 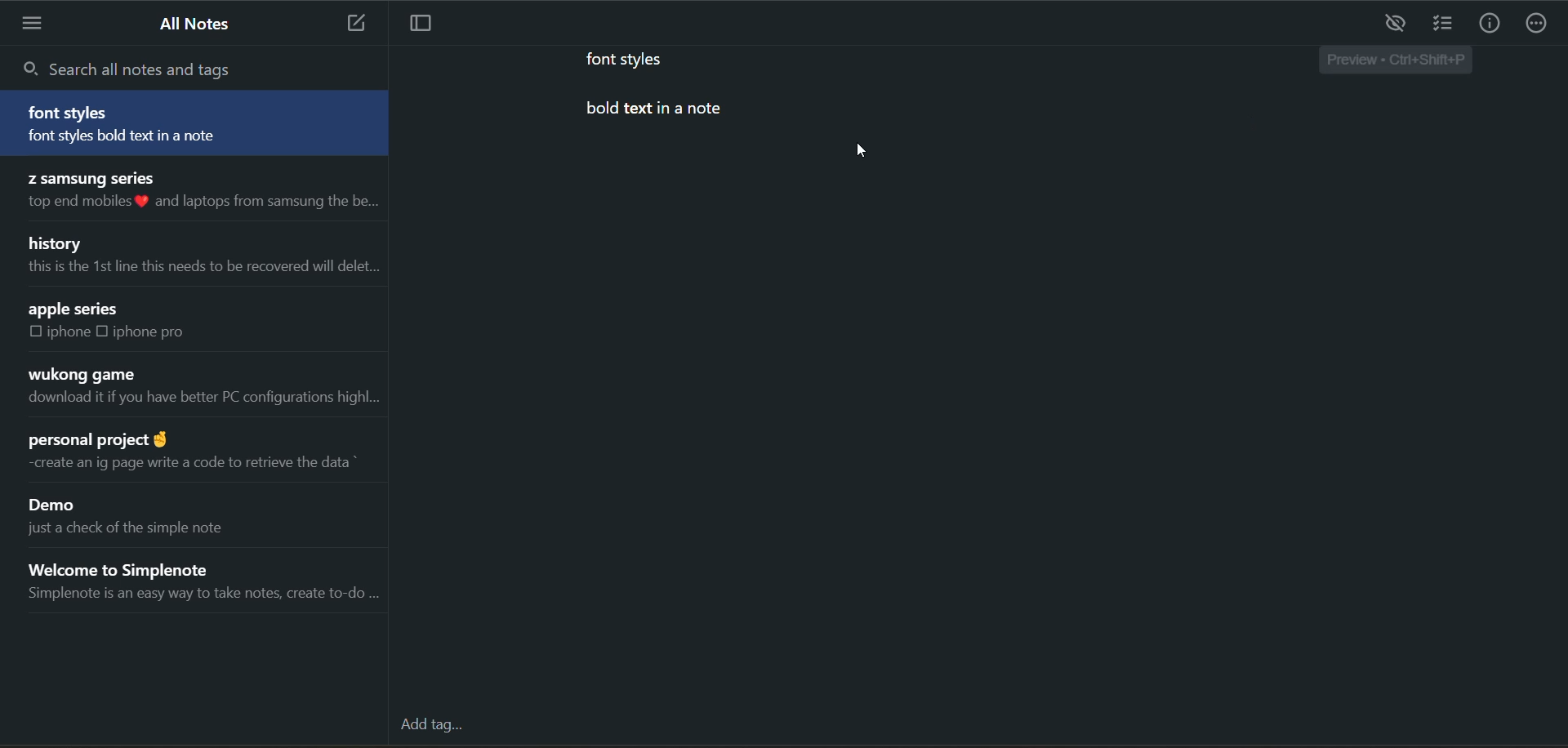 I want to click on toggle focus mode, so click(x=429, y=24).